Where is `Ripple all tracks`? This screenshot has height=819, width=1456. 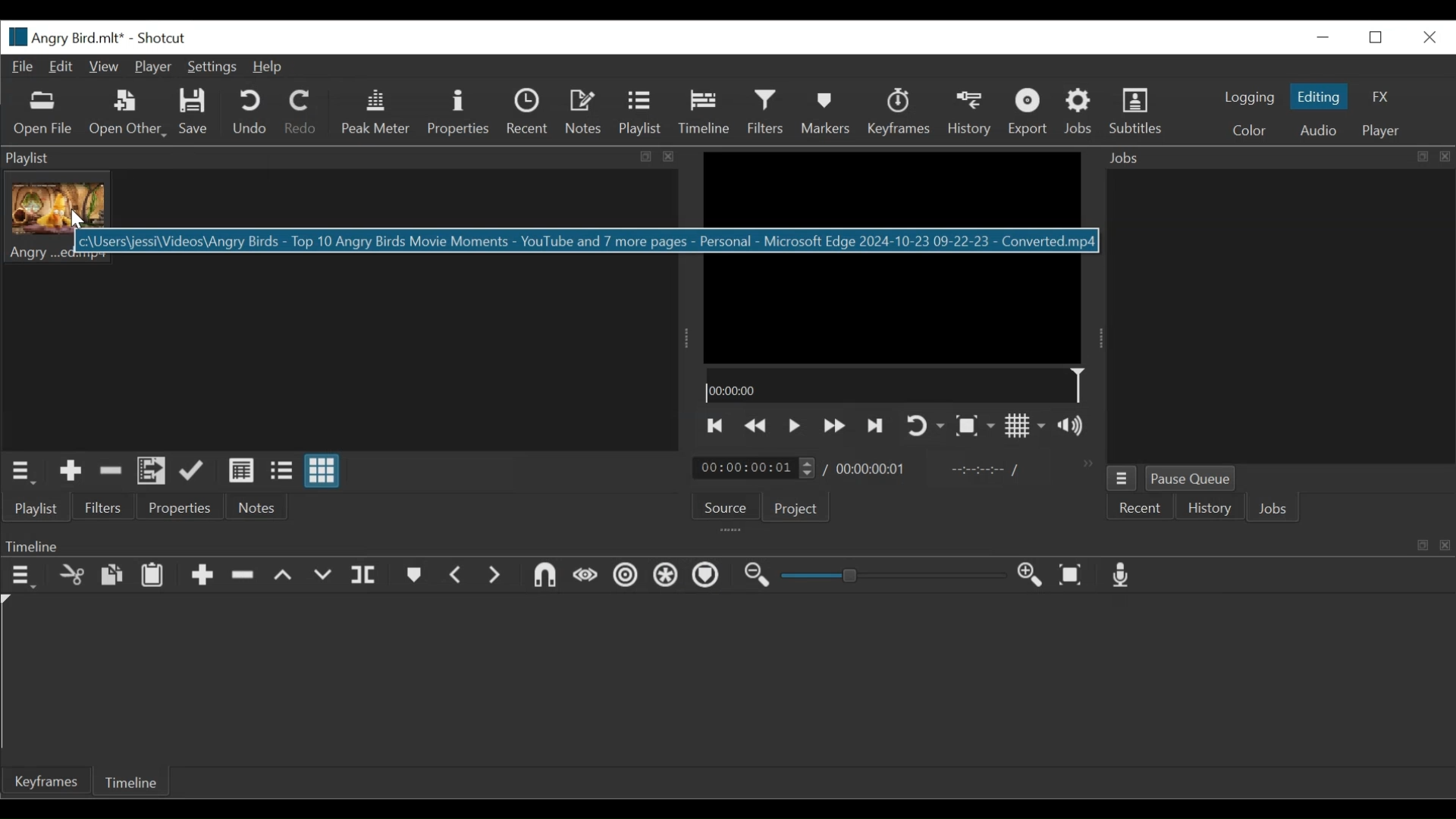 Ripple all tracks is located at coordinates (667, 576).